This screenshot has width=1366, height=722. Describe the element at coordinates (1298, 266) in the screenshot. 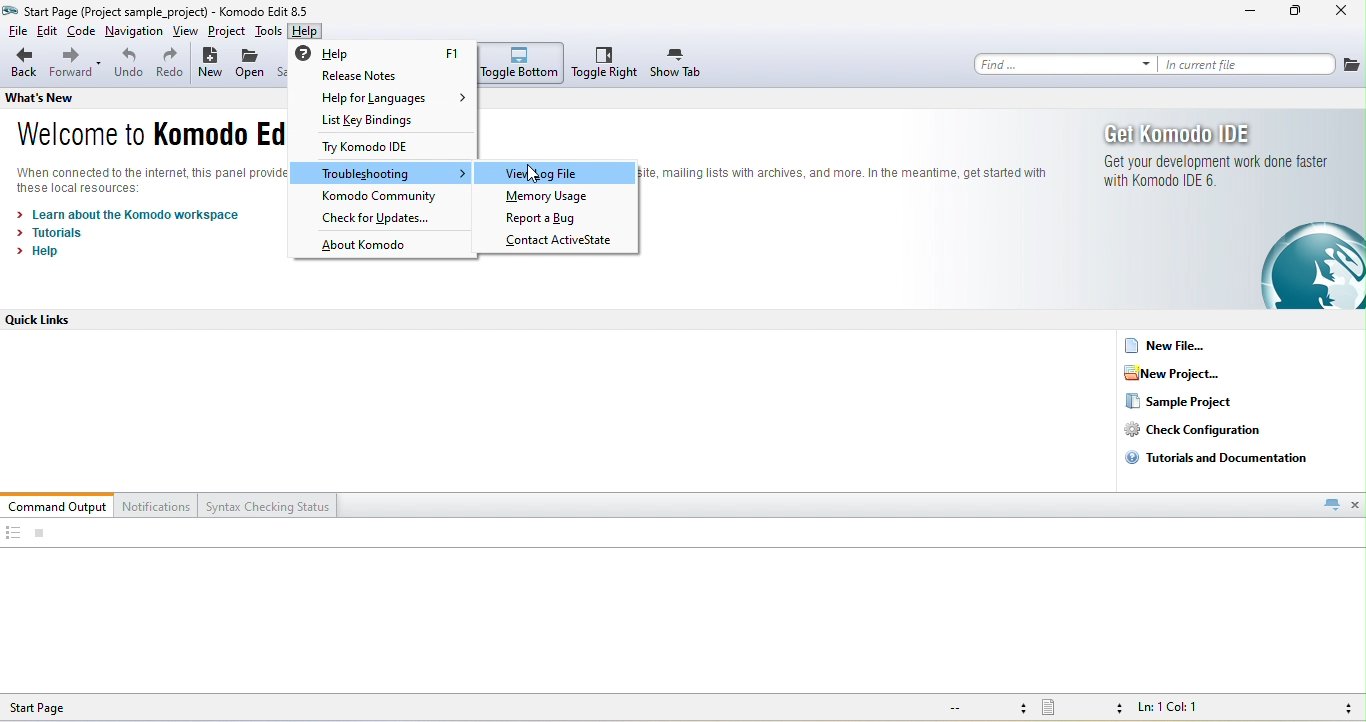

I see `globe icon` at that location.